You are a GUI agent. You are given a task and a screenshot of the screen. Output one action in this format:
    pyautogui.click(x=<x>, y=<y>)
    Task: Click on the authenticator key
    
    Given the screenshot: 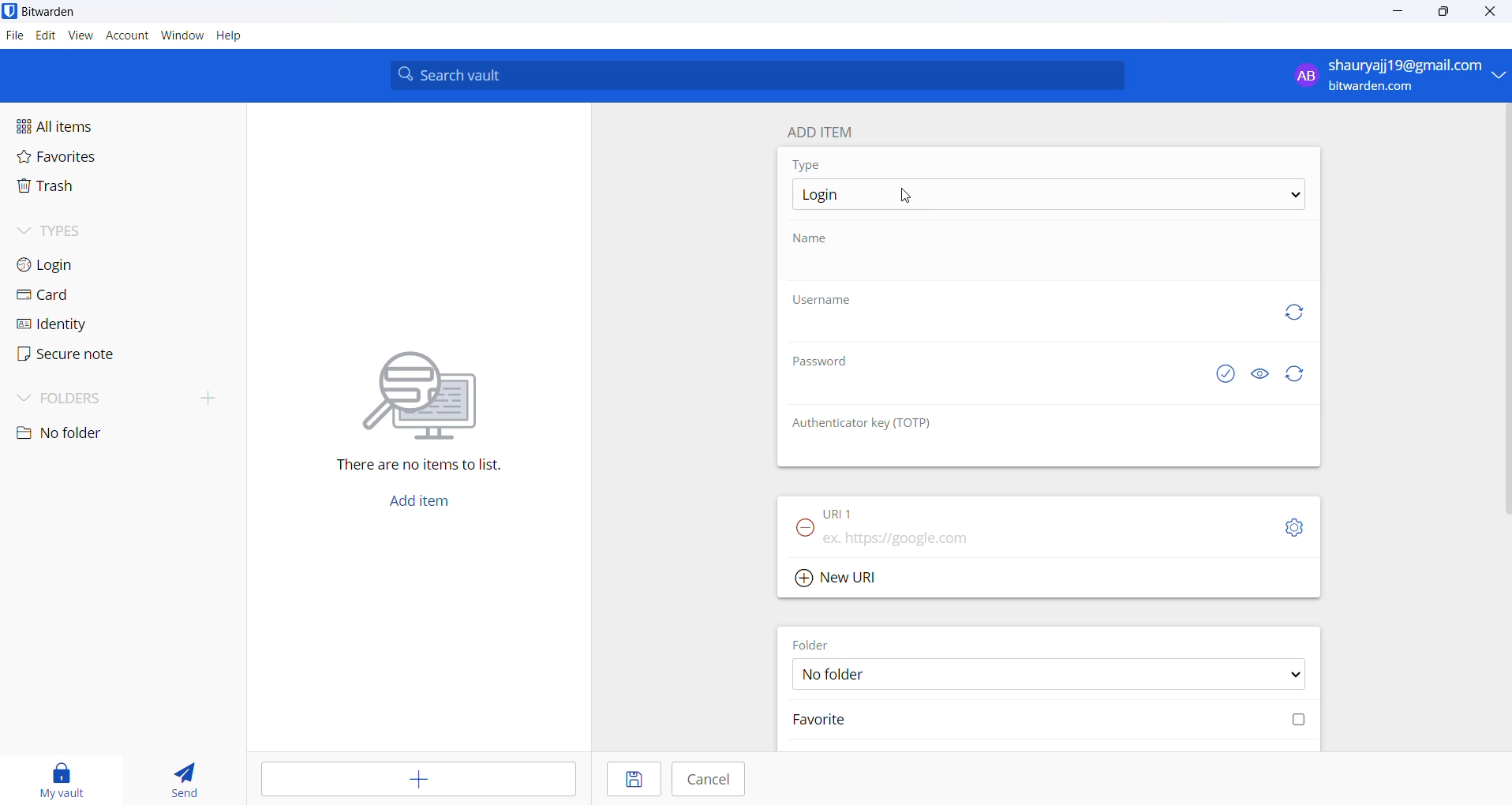 What is the action you would take?
    pyautogui.click(x=857, y=423)
    